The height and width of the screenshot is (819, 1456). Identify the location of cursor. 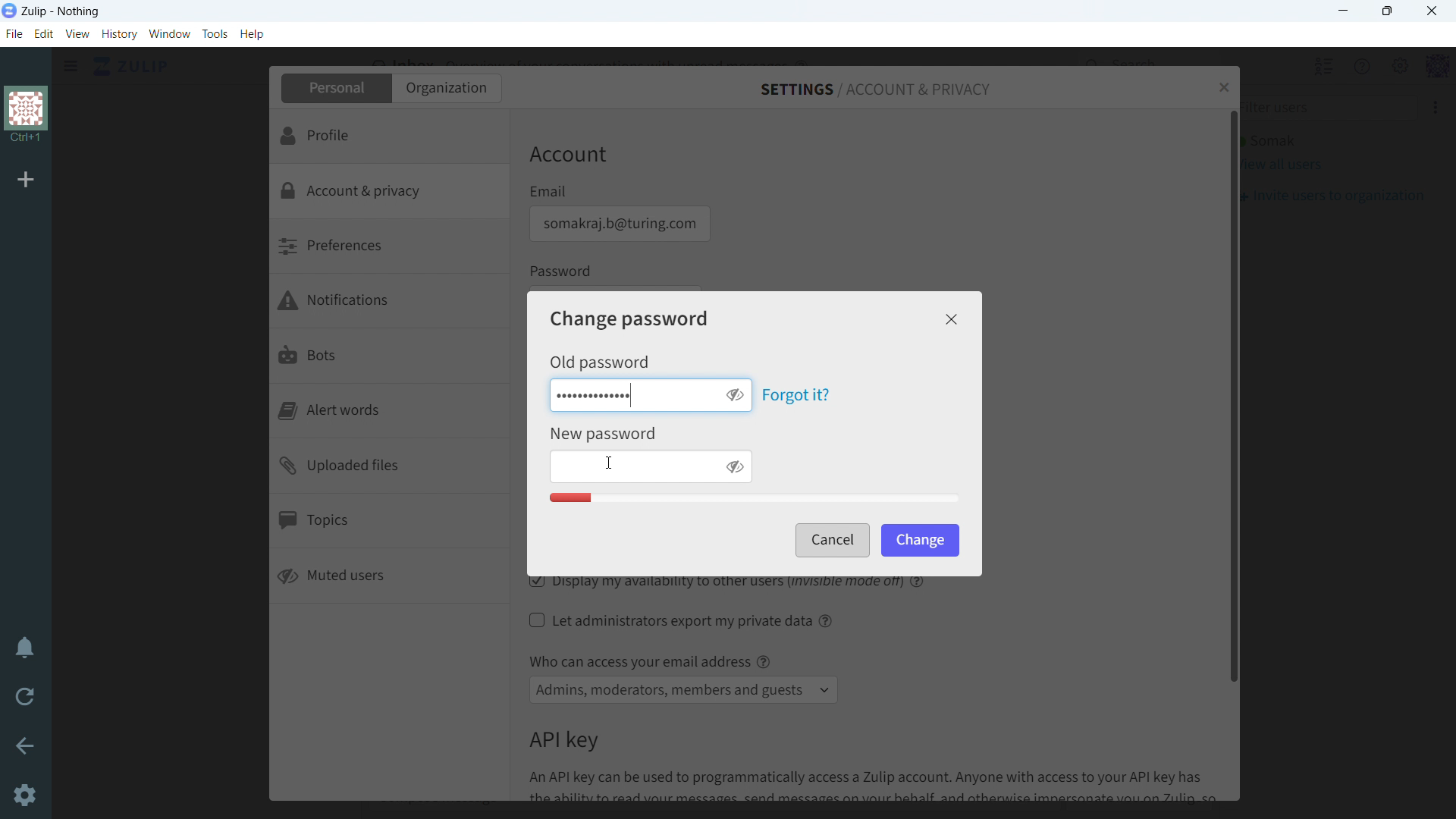
(611, 463).